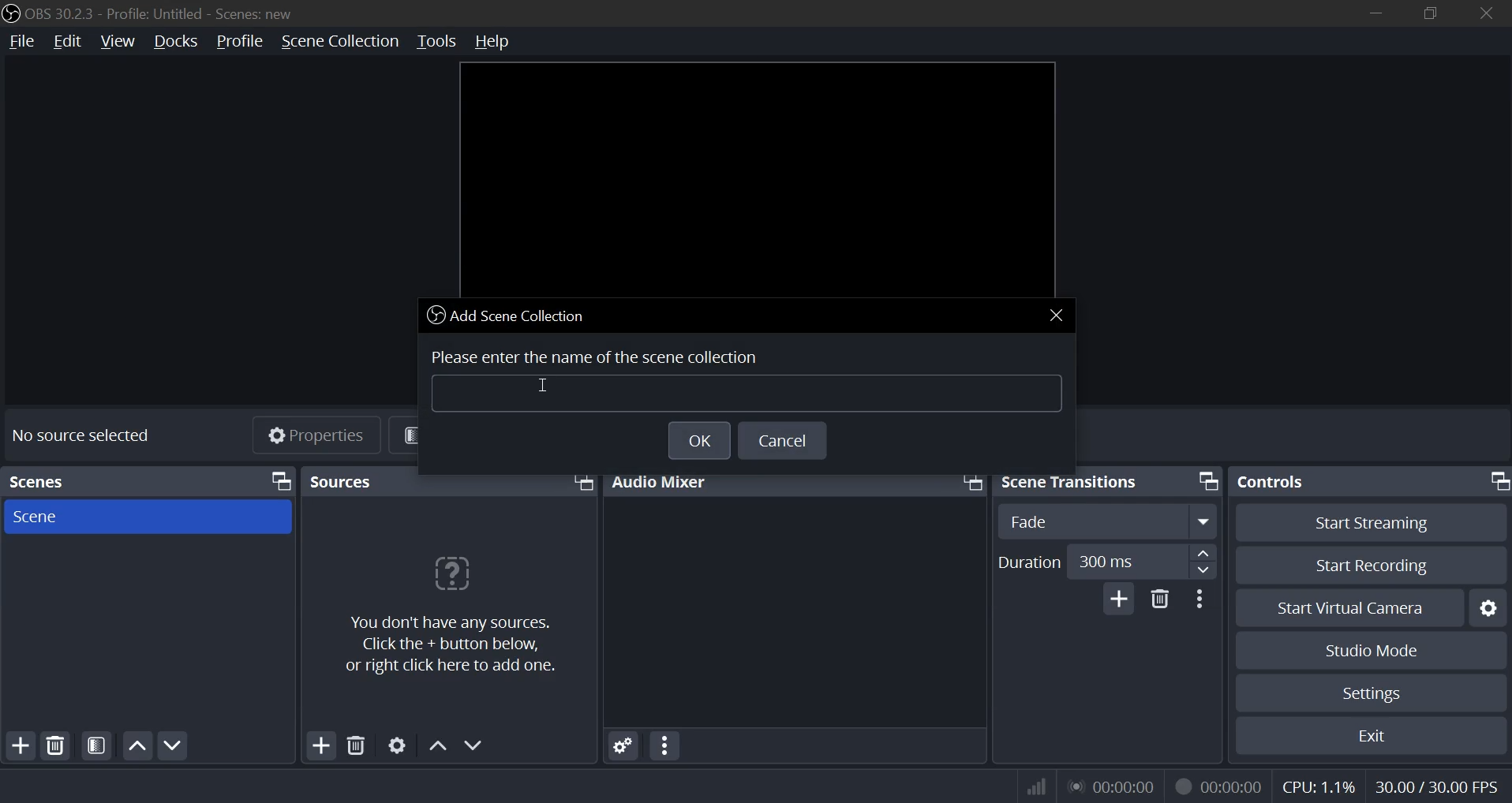 The width and height of the screenshot is (1512, 803). I want to click on bring front, so click(1205, 480).